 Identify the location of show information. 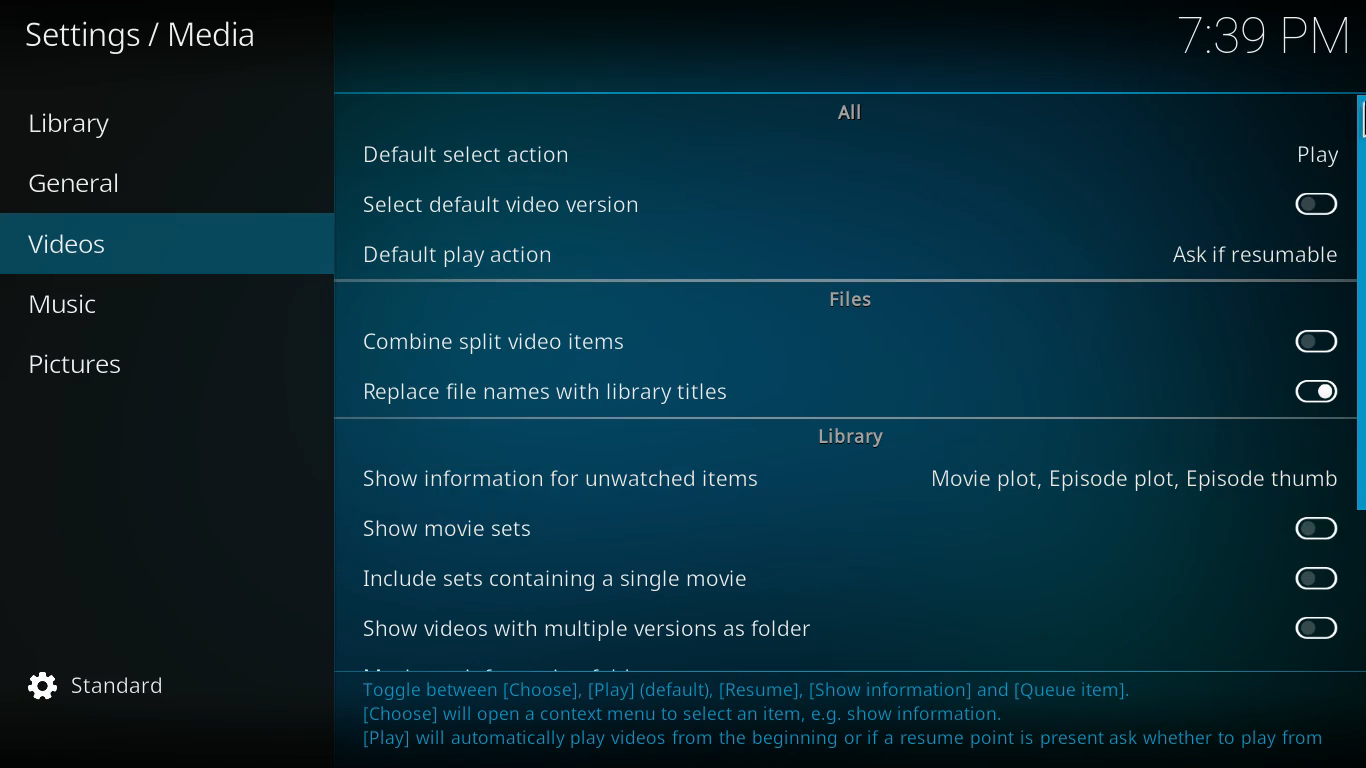
(568, 479).